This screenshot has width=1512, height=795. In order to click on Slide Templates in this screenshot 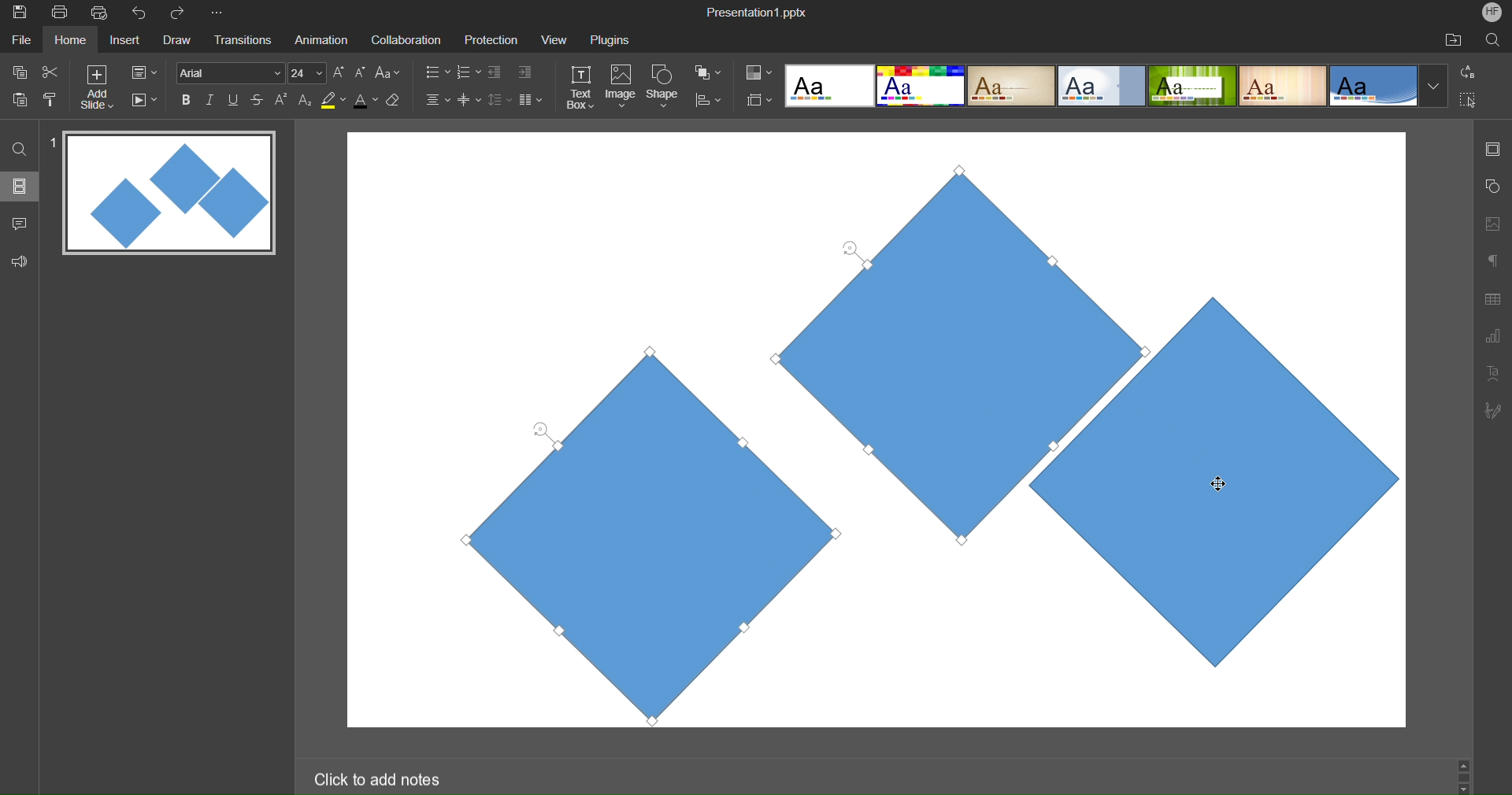, I will do `click(1117, 84)`.